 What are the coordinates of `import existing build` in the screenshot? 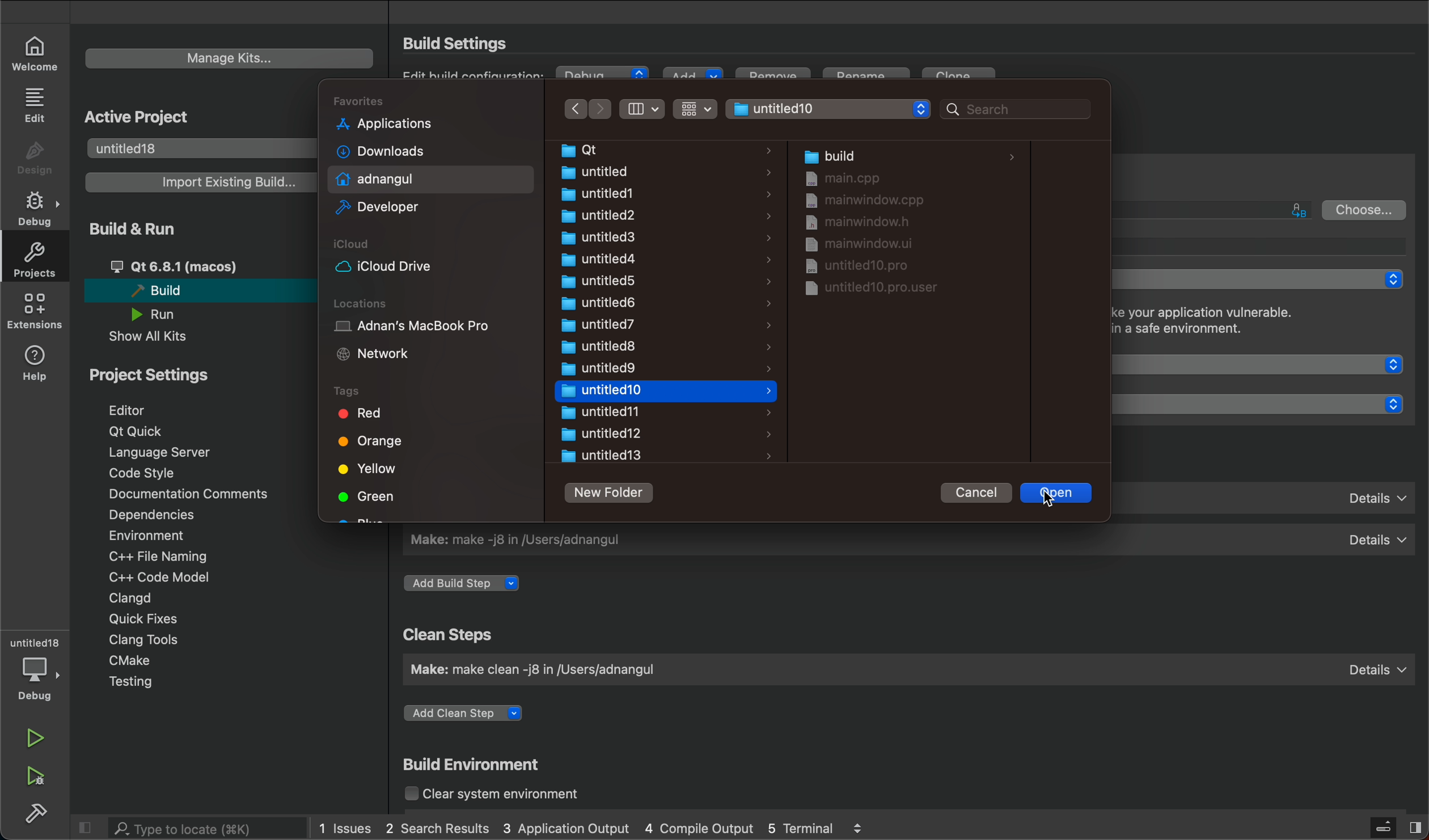 It's located at (201, 183).